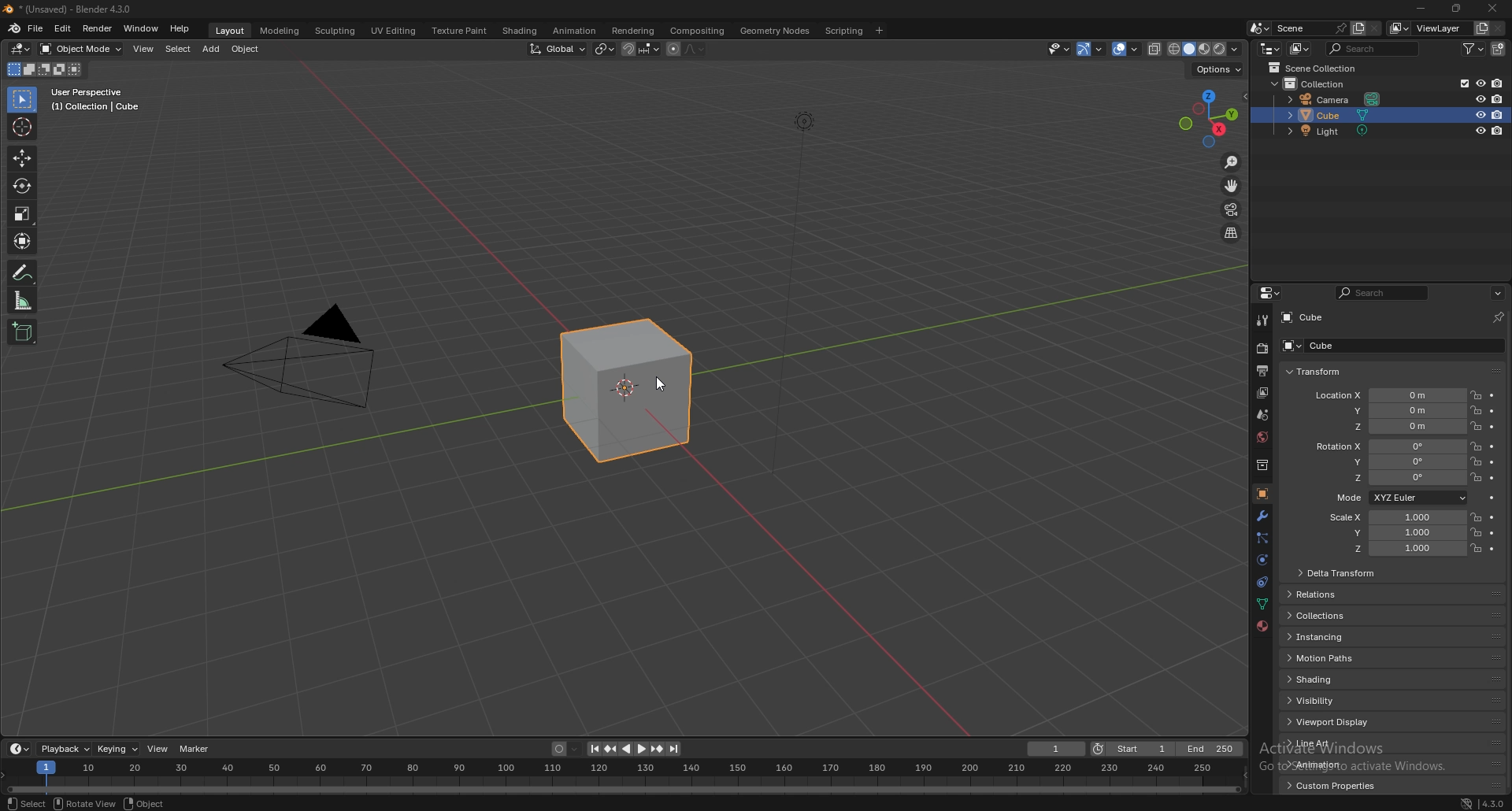 This screenshot has height=811, width=1512. What do you see at coordinates (1263, 539) in the screenshot?
I see `particle` at bounding box center [1263, 539].